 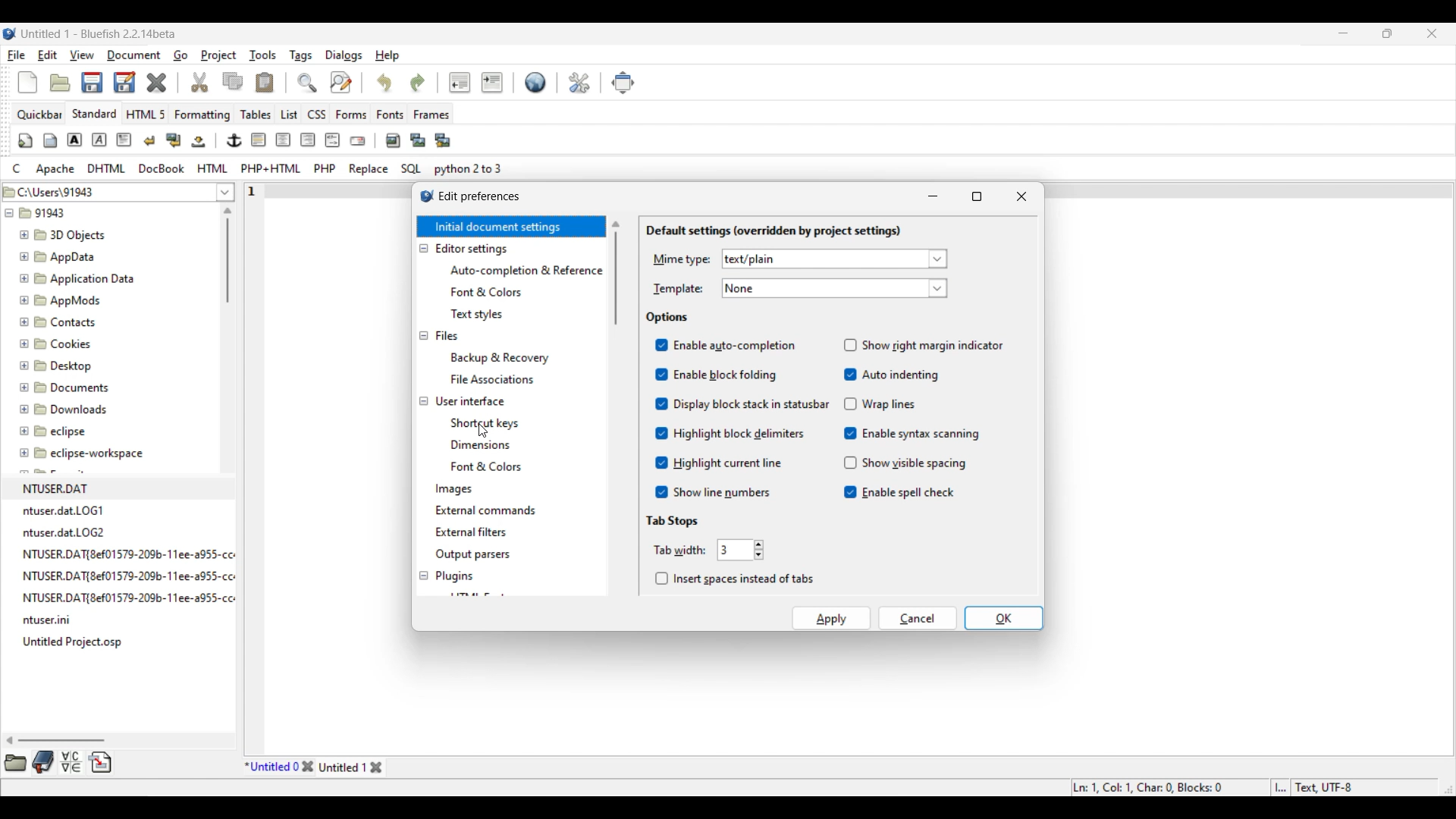 What do you see at coordinates (681, 260) in the screenshot?
I see `Indicates Mime type settings ` at bounding box center [681, 260].